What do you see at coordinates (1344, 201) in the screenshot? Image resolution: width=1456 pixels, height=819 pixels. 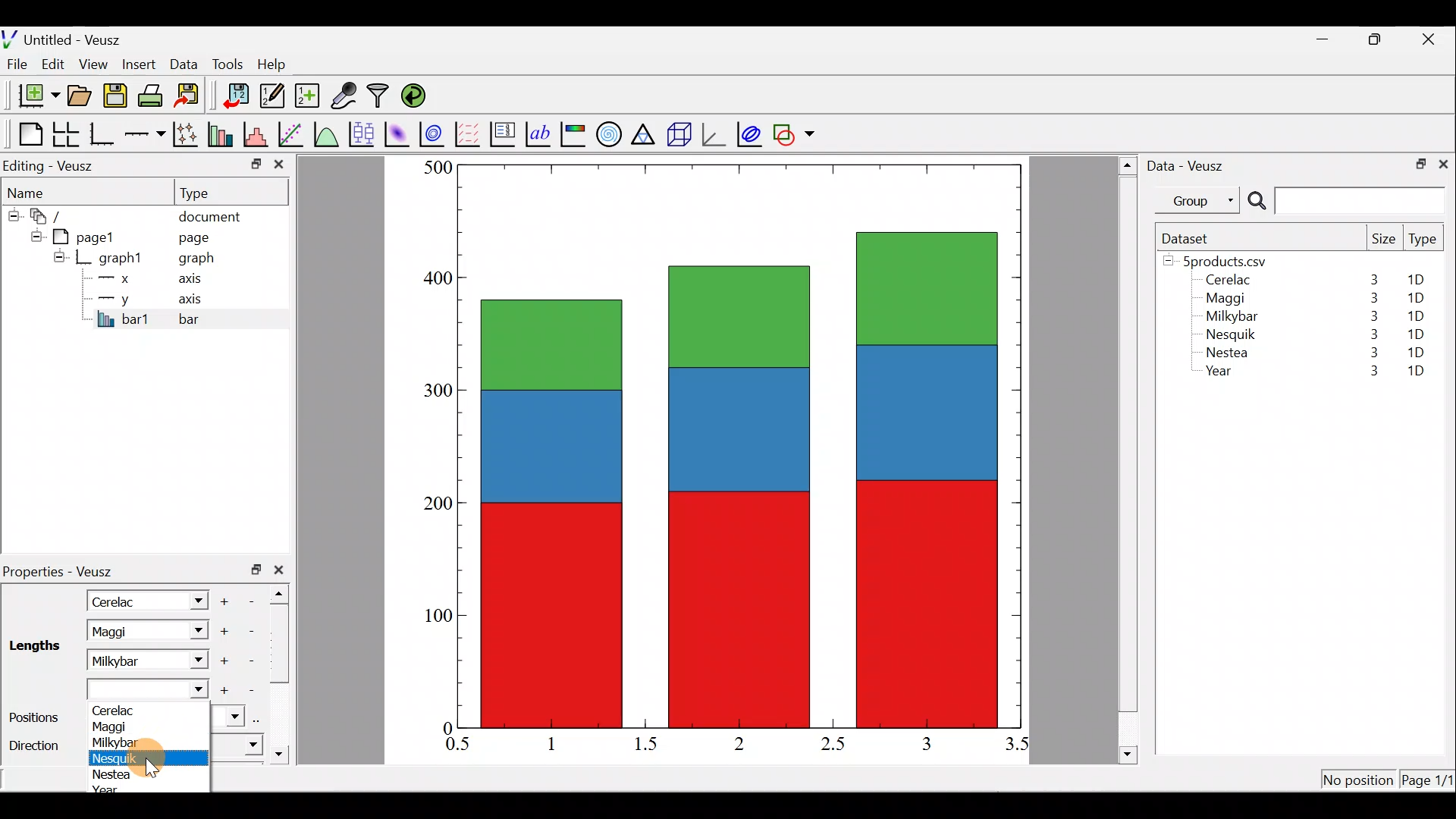 I see `Search bar` at bounding box center [1344, 201].